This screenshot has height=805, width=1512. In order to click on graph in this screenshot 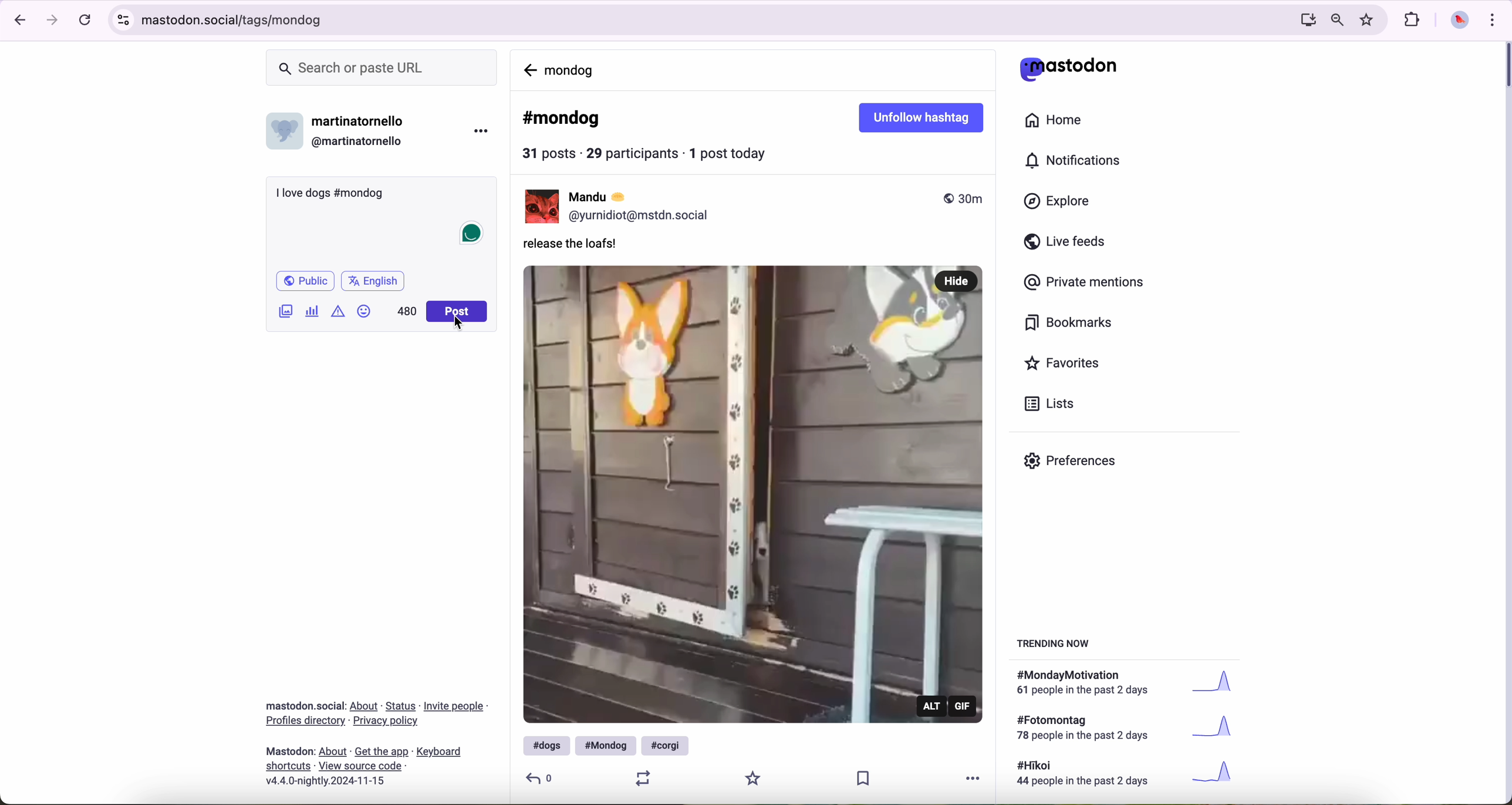, I will do `click(1219, 730)`.